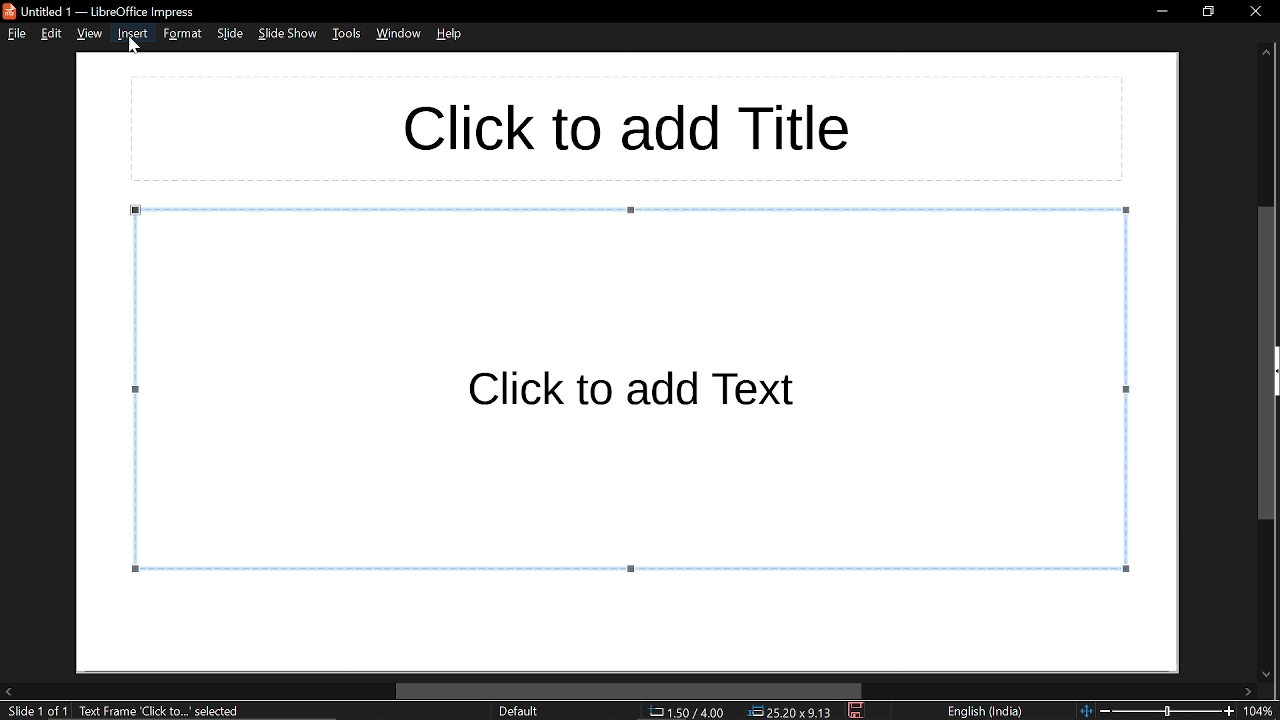  What do you see at coordinates (684, 713) in the screenshot?
I see `co-ordinate` at bounding box center [684, 713].